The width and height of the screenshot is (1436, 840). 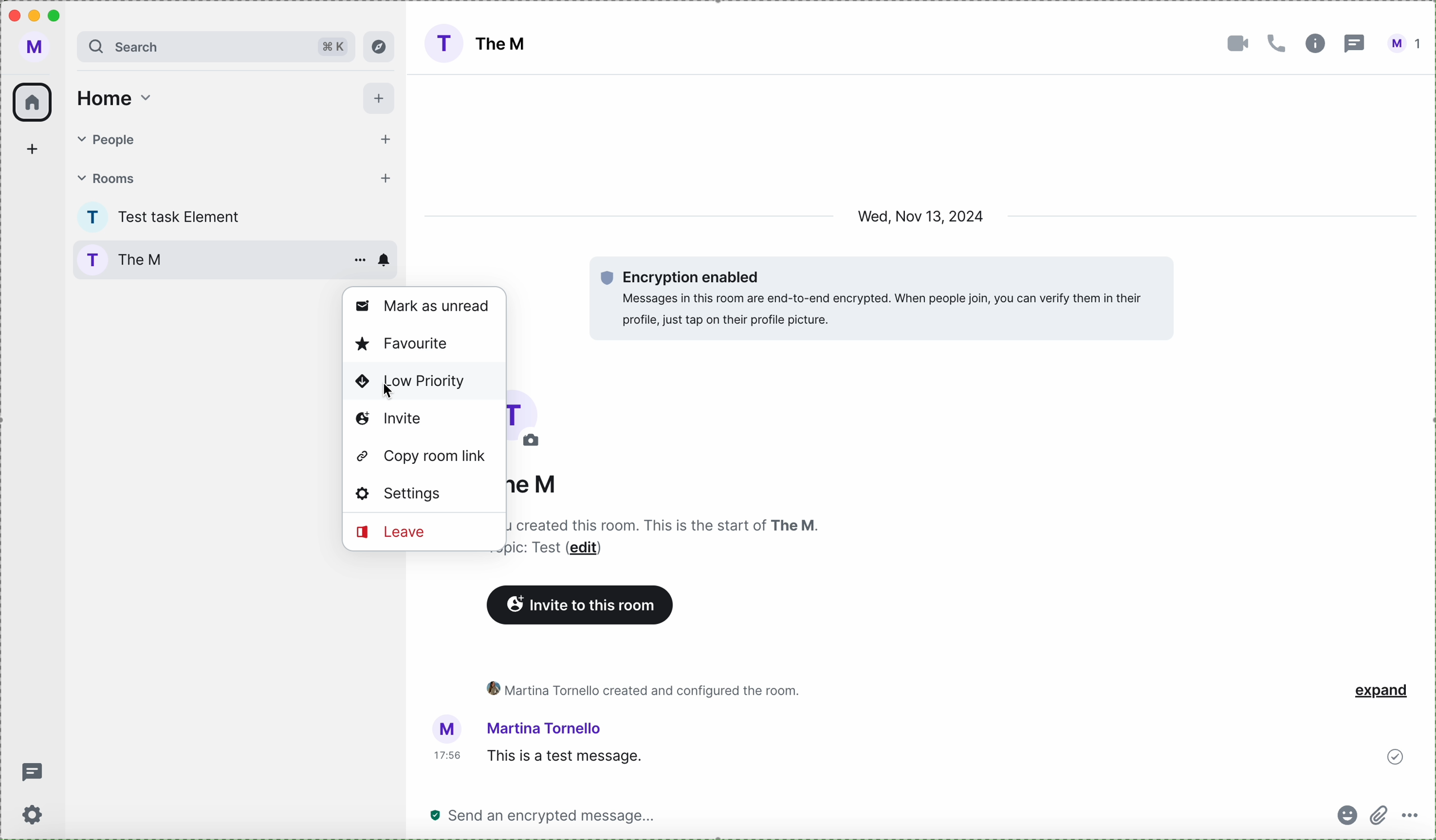 I want to click on attach file, so click(x=1381, y=816).